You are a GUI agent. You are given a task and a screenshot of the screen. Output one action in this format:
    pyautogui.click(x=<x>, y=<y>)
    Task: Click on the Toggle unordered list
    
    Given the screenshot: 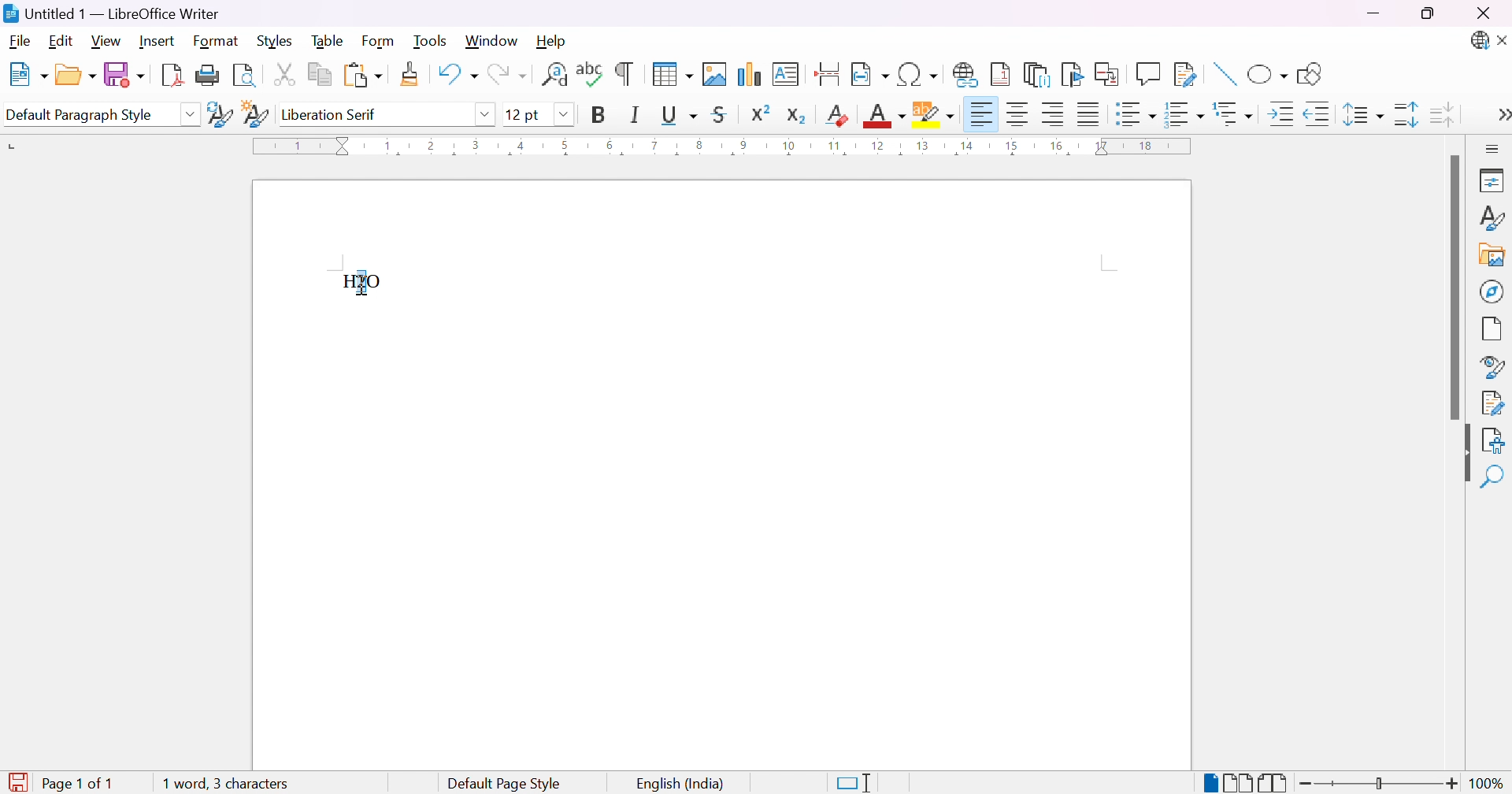 What is the action you would take?
    pyautogui.click(x=1137, y=117)
    